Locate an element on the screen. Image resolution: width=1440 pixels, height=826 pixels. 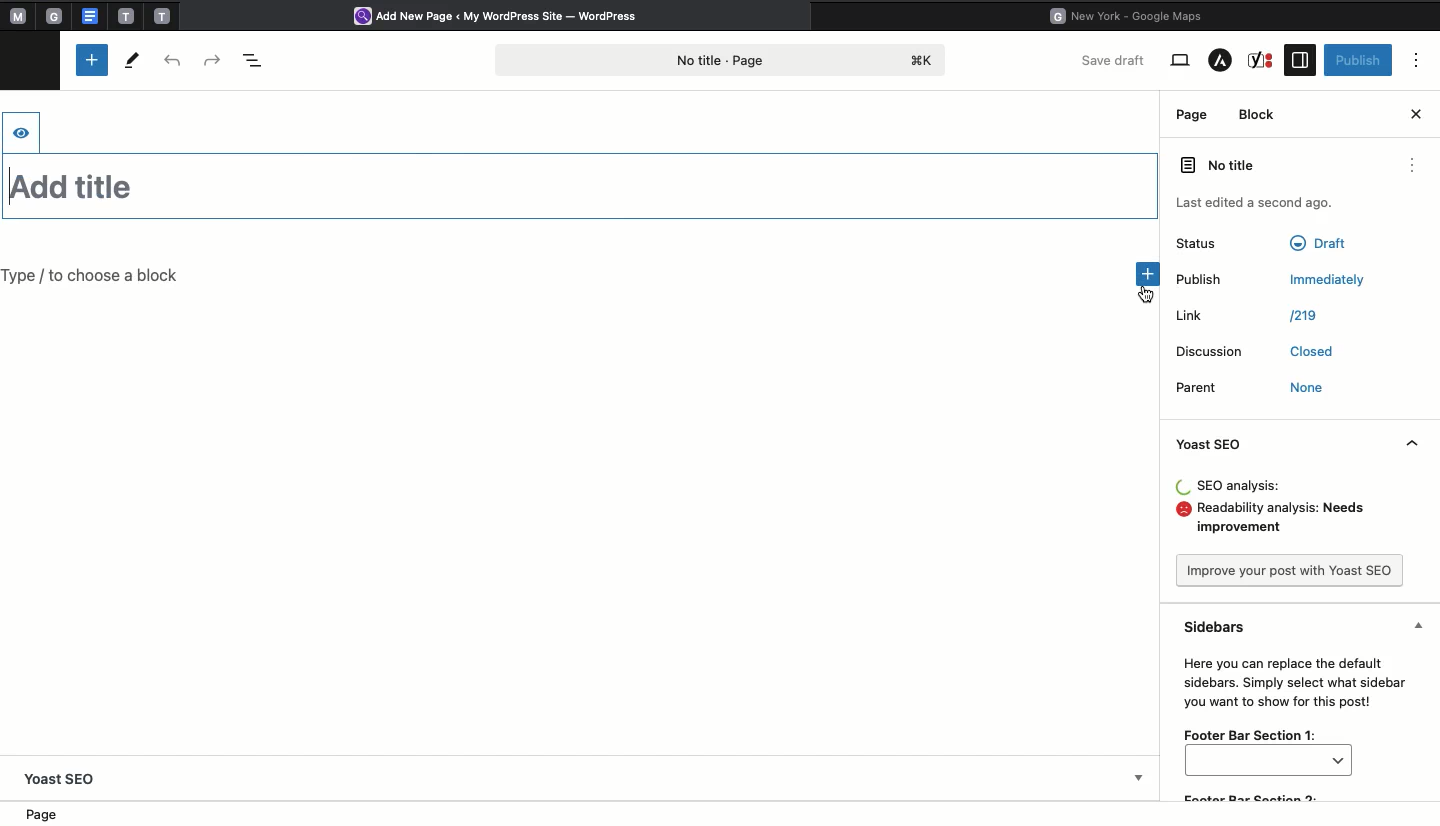
Yoast is located at coordinates (1263, 60).